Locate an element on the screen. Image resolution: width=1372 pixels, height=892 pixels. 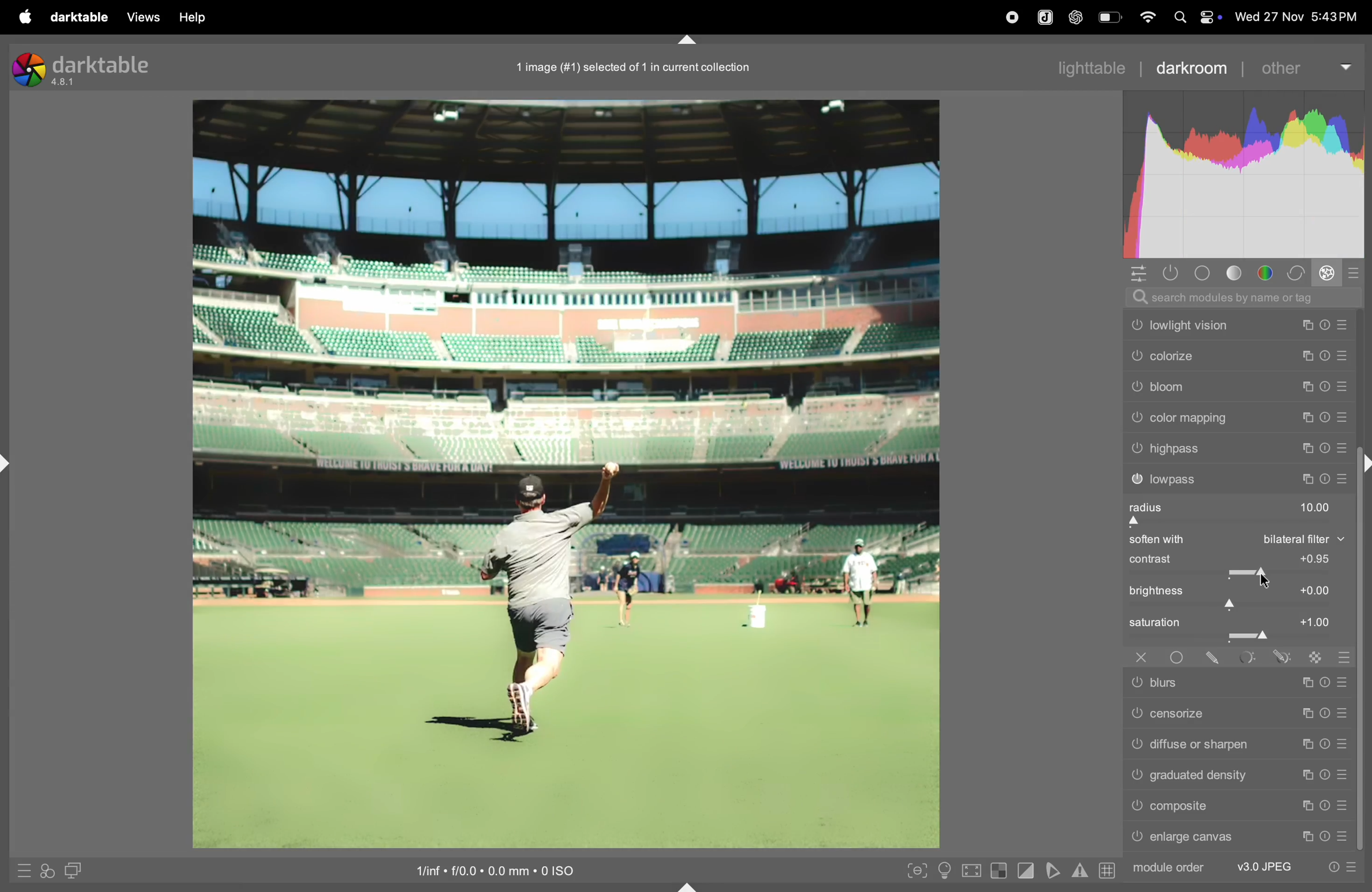
off is located at coordinates (1139, 657).